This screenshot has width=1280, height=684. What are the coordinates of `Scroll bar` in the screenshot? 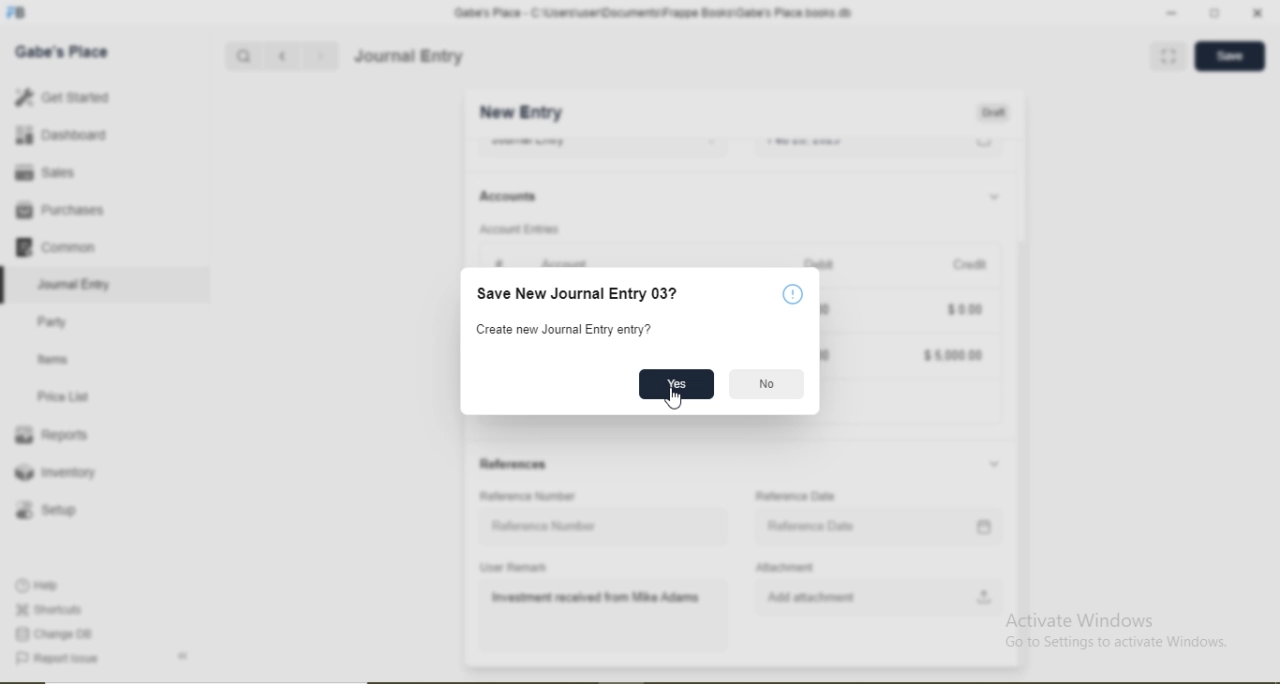 It's located at (1021, 386).